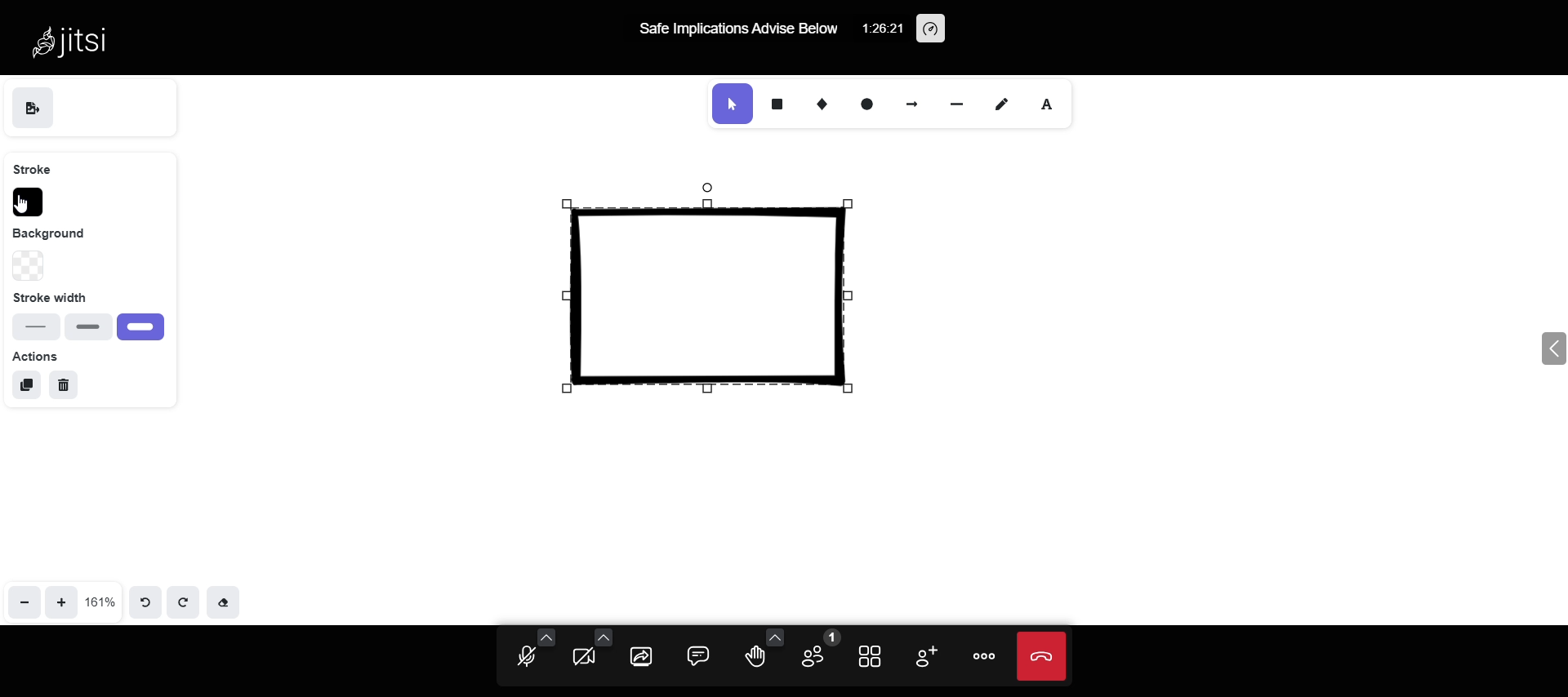 This screenshot has width=1568, height=697. I want to click on start camera, so click(583, 657).